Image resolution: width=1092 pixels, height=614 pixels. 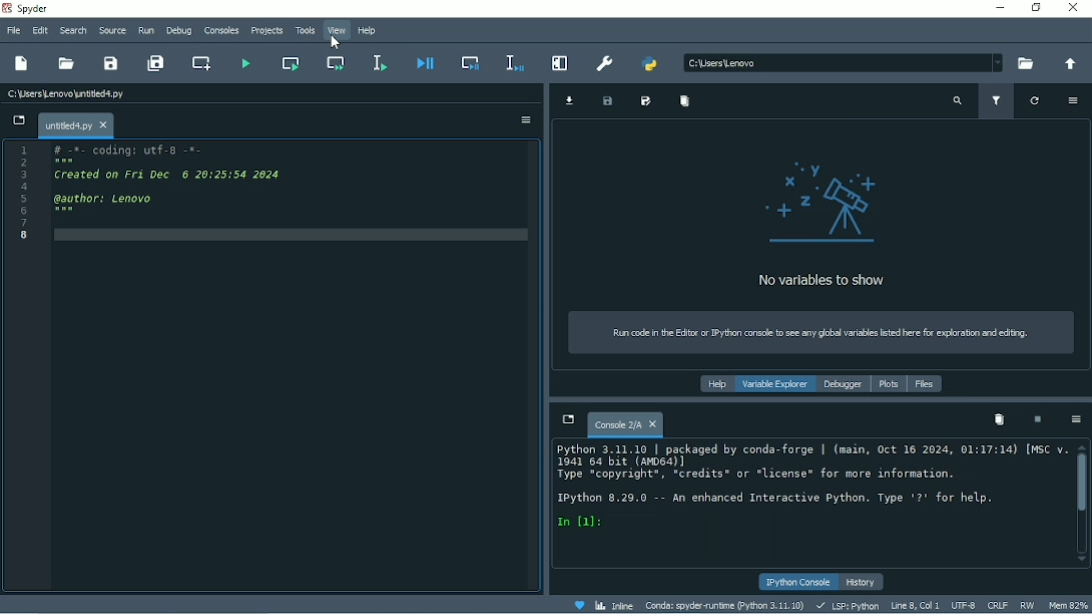 I want to click on Run current cell, so click(x=290, y=64).